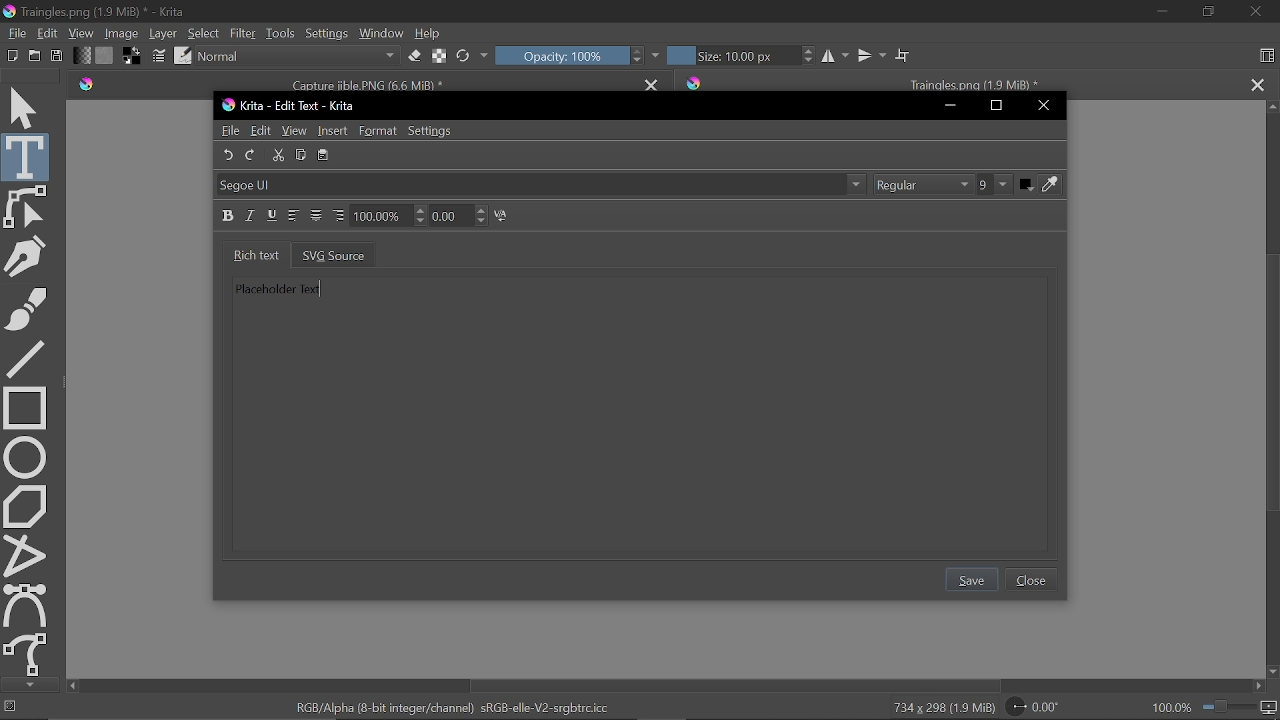 Image resolution: width=1280 pixels, height=720 pixels. I want to click on 0.00, so click(457, 216).